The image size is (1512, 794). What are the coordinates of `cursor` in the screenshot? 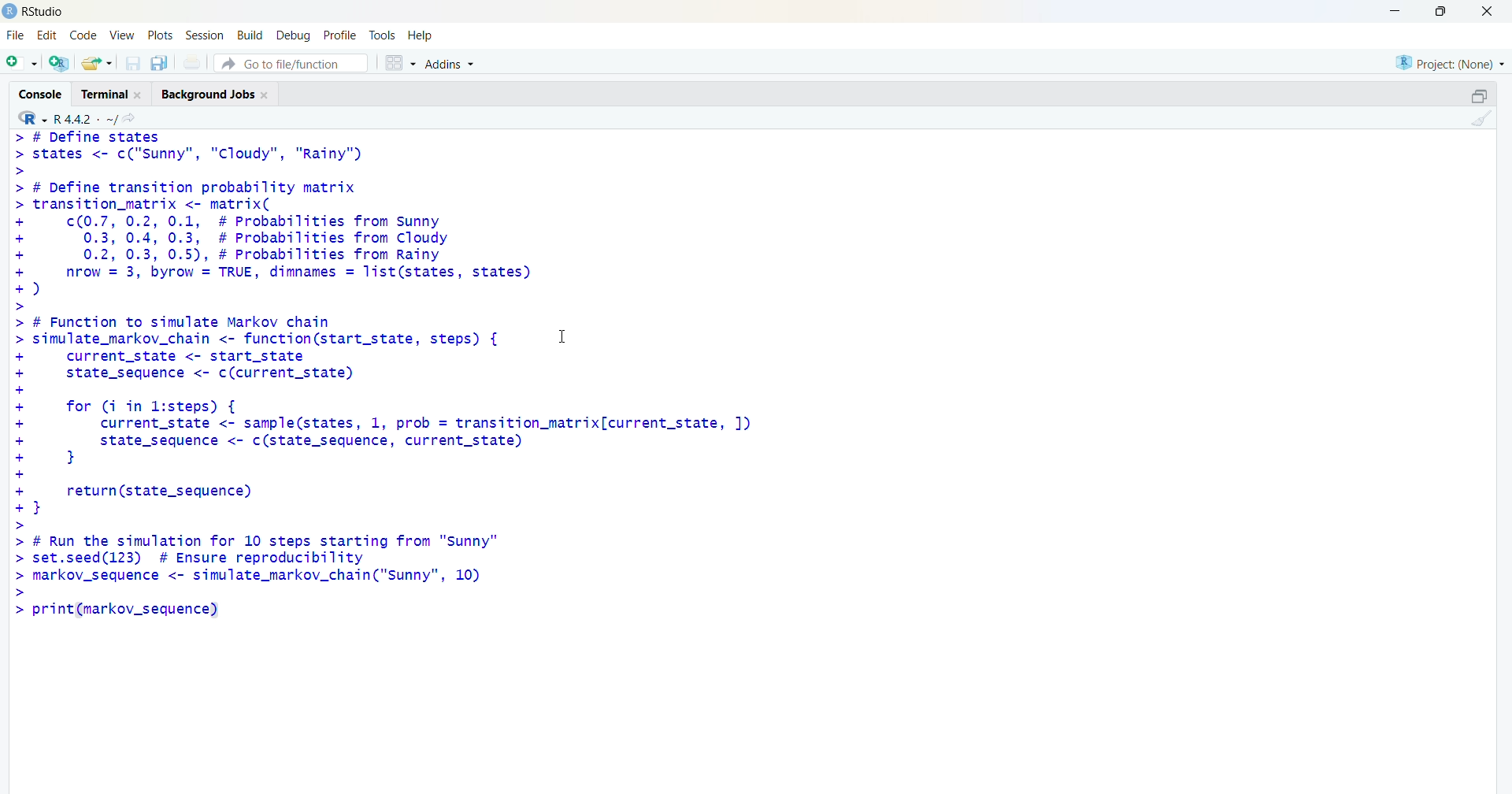 It's located at (569, 341).